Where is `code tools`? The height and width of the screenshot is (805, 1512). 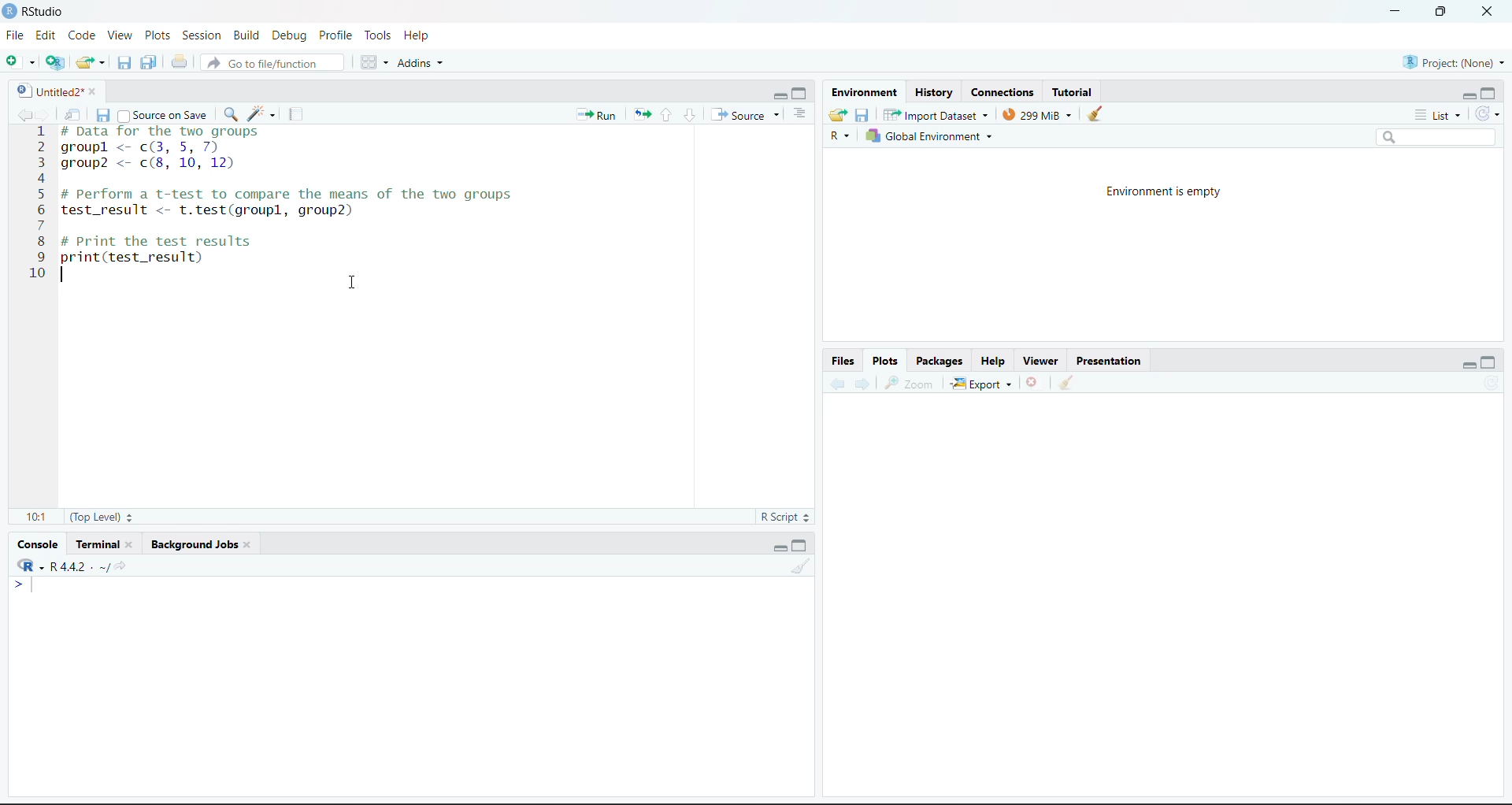
code tools is located at coordinates (261, 113).